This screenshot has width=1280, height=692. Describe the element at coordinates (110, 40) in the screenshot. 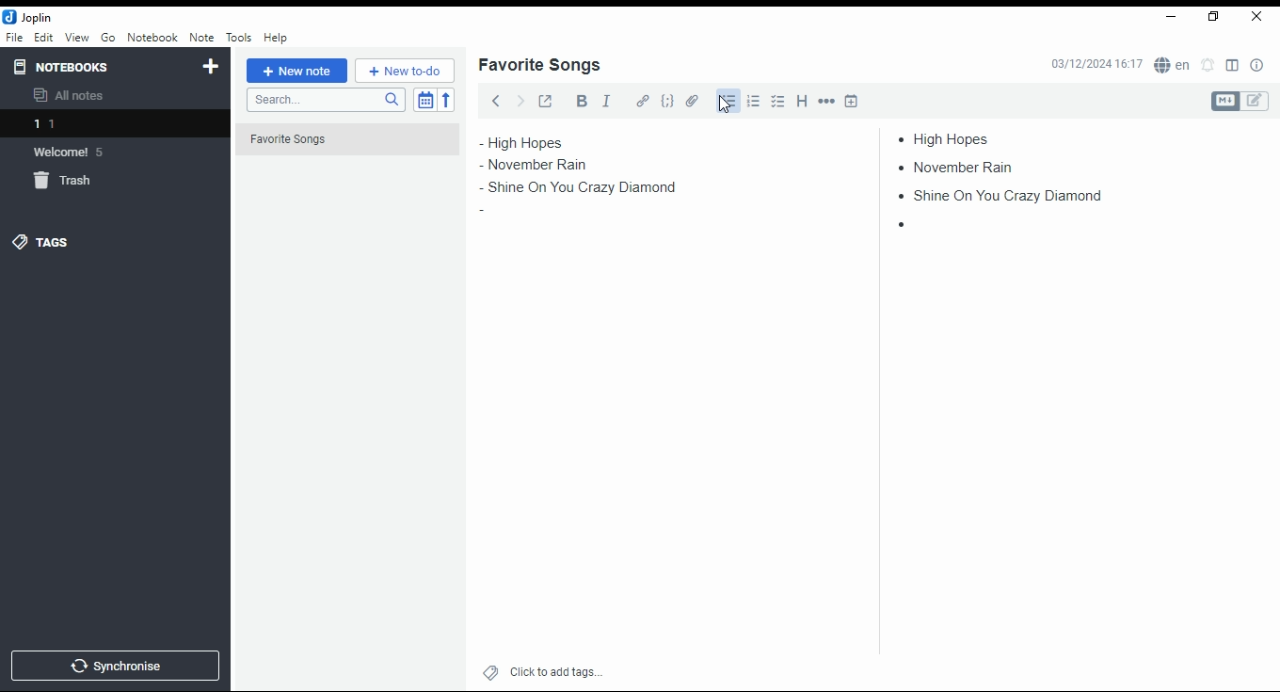

I see `go` at that location.